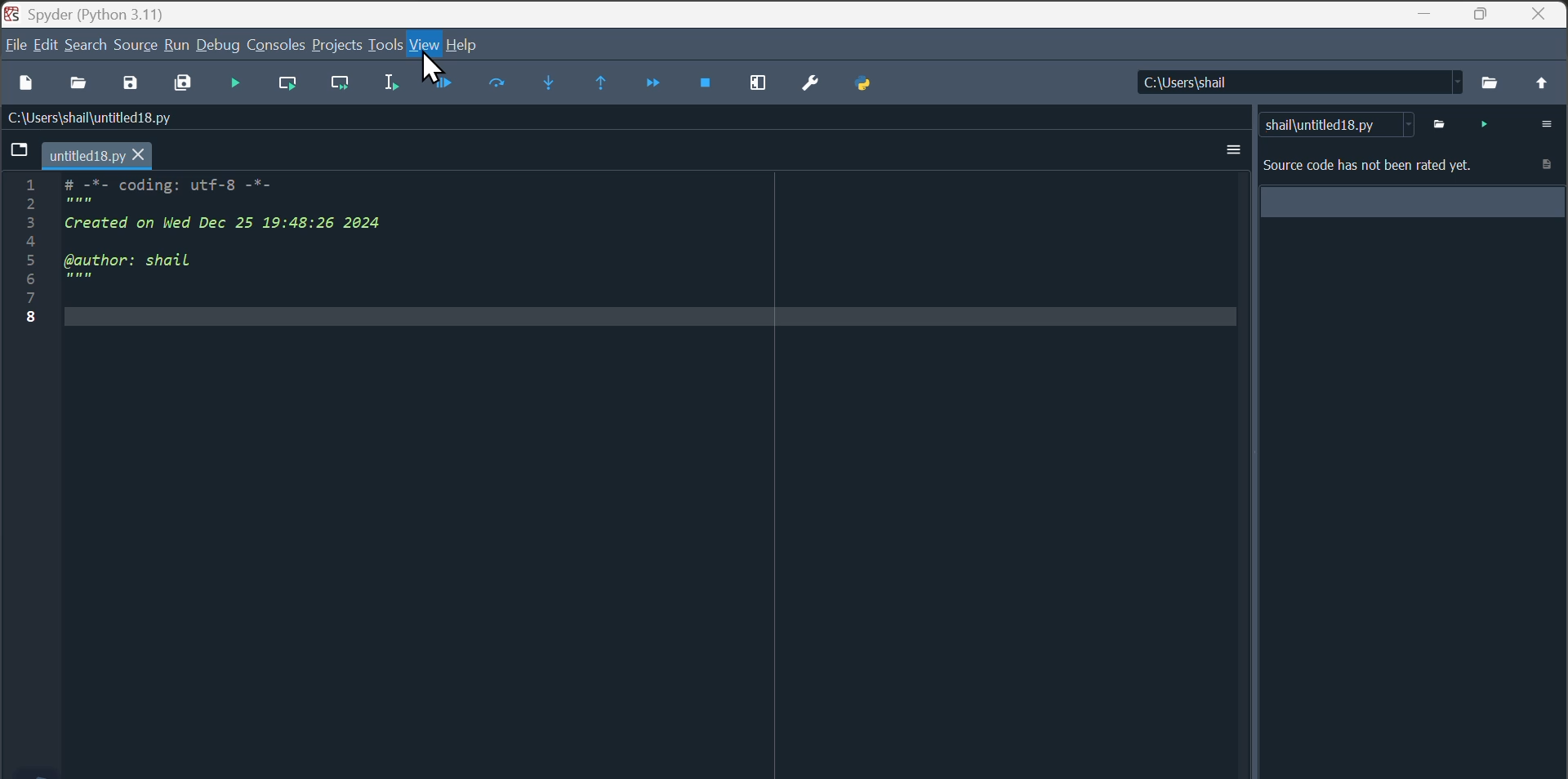 This screenshot has width=1568, height=779. What do you see at coordinates (210, 250) in the screenshot?
I see `Initial code` at bounding box center [210, 250].